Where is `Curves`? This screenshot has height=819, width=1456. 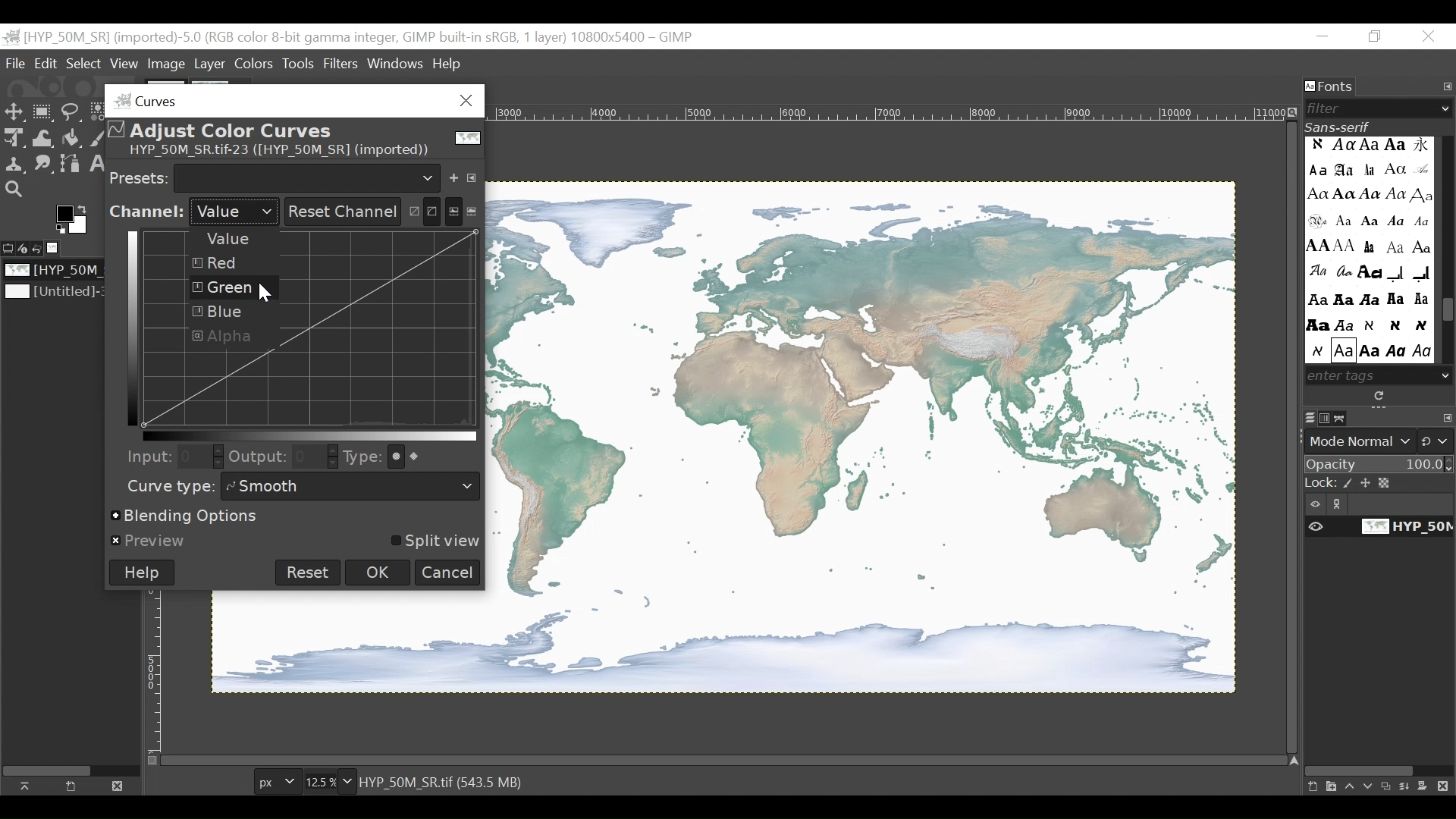 Curves is located at coordinates (290, 100).